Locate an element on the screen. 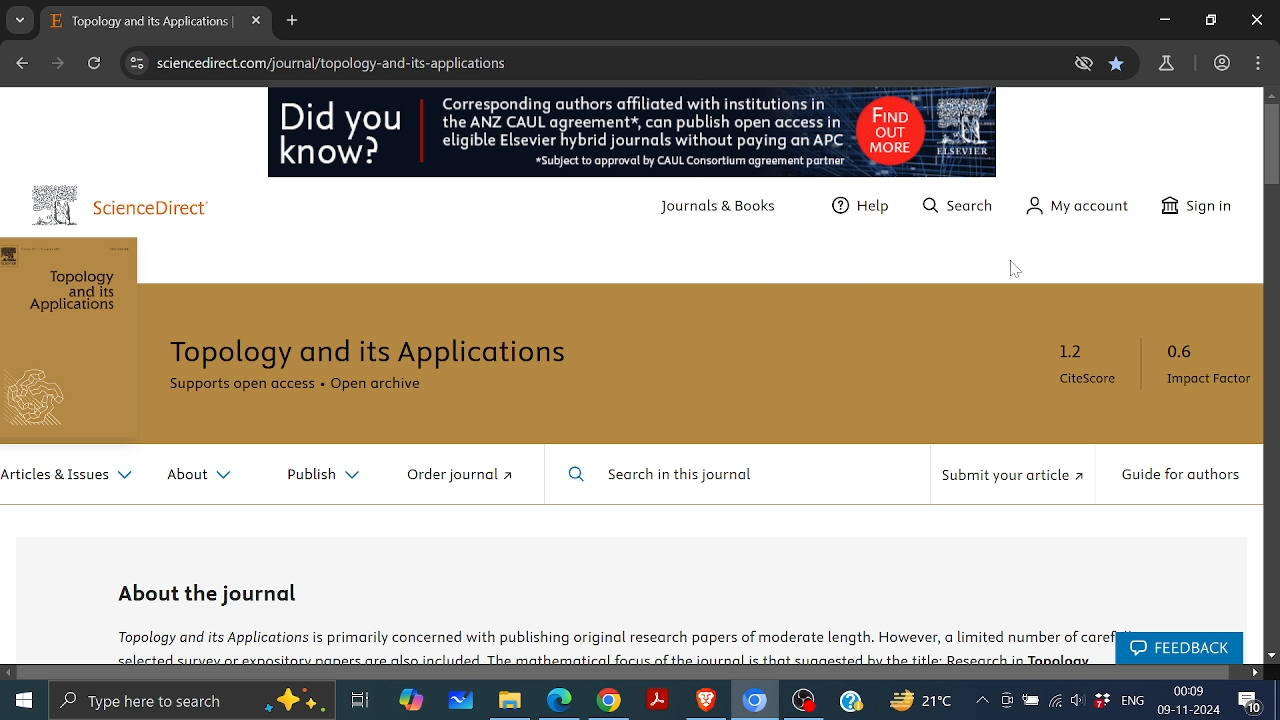  my account is located at coordinates (1080, 207).